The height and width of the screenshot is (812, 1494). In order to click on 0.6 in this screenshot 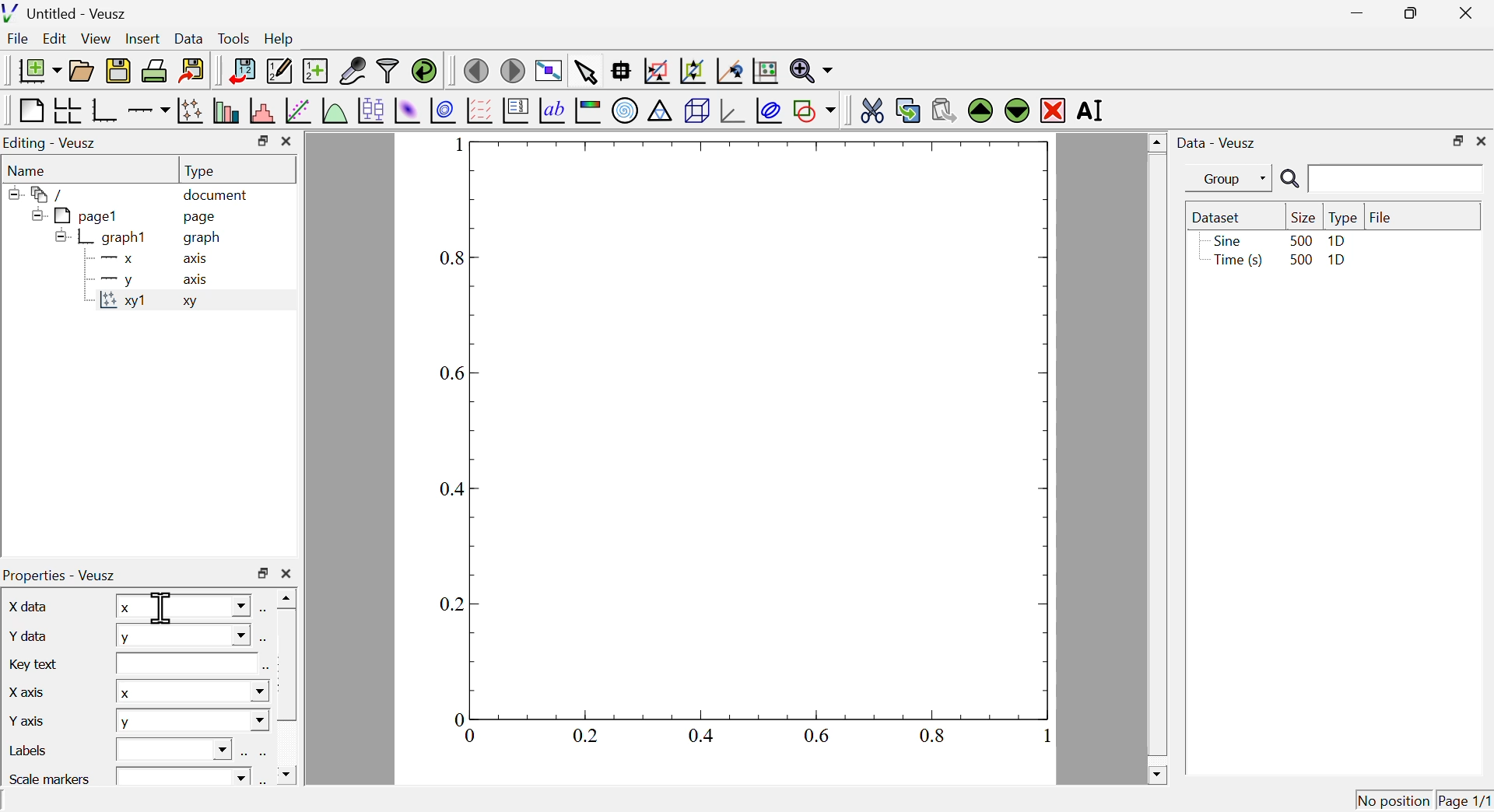, I will do `click(819, 734)`.